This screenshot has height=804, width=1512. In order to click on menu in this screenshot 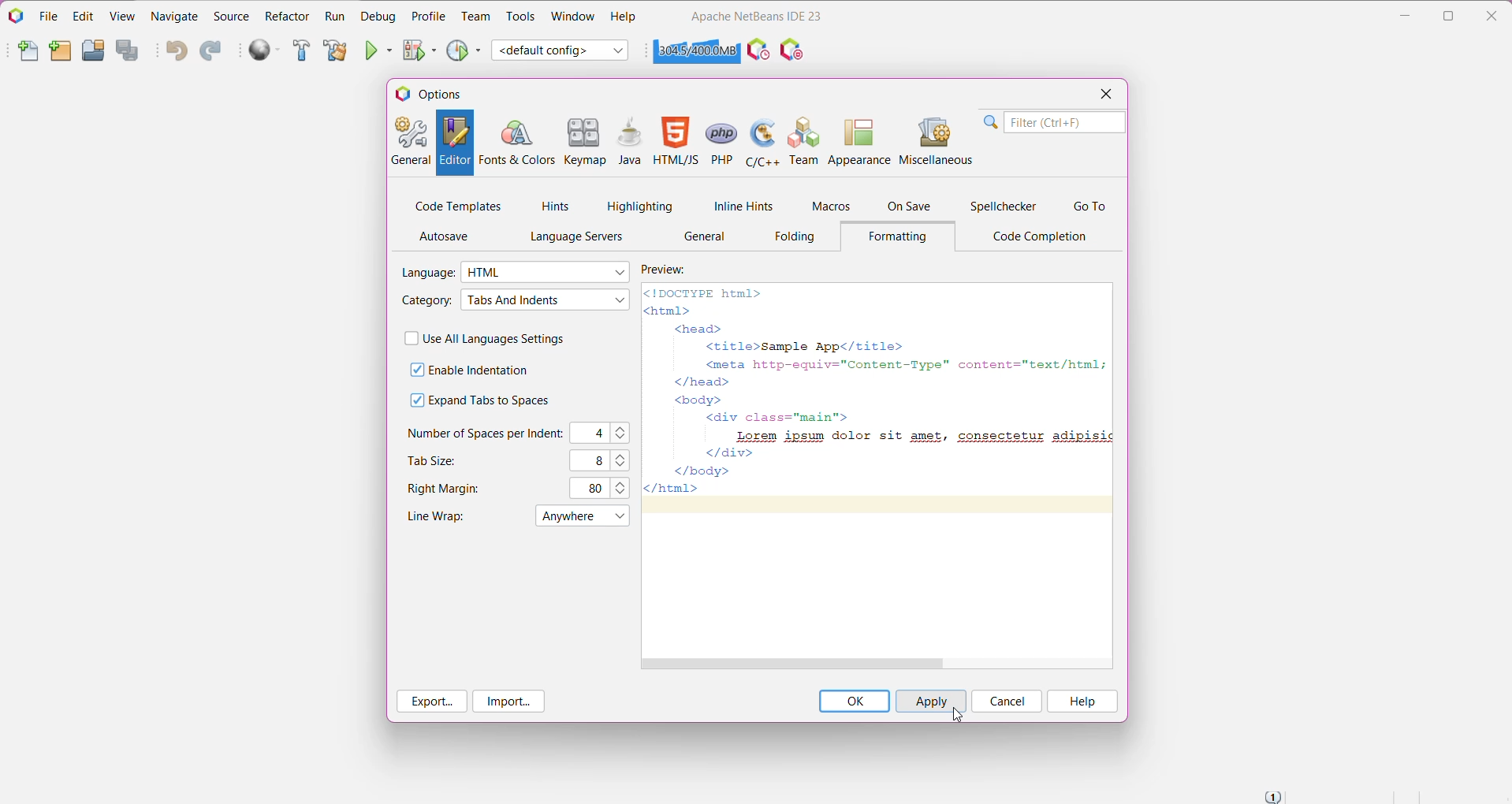, I will do `click(567, 517)`.